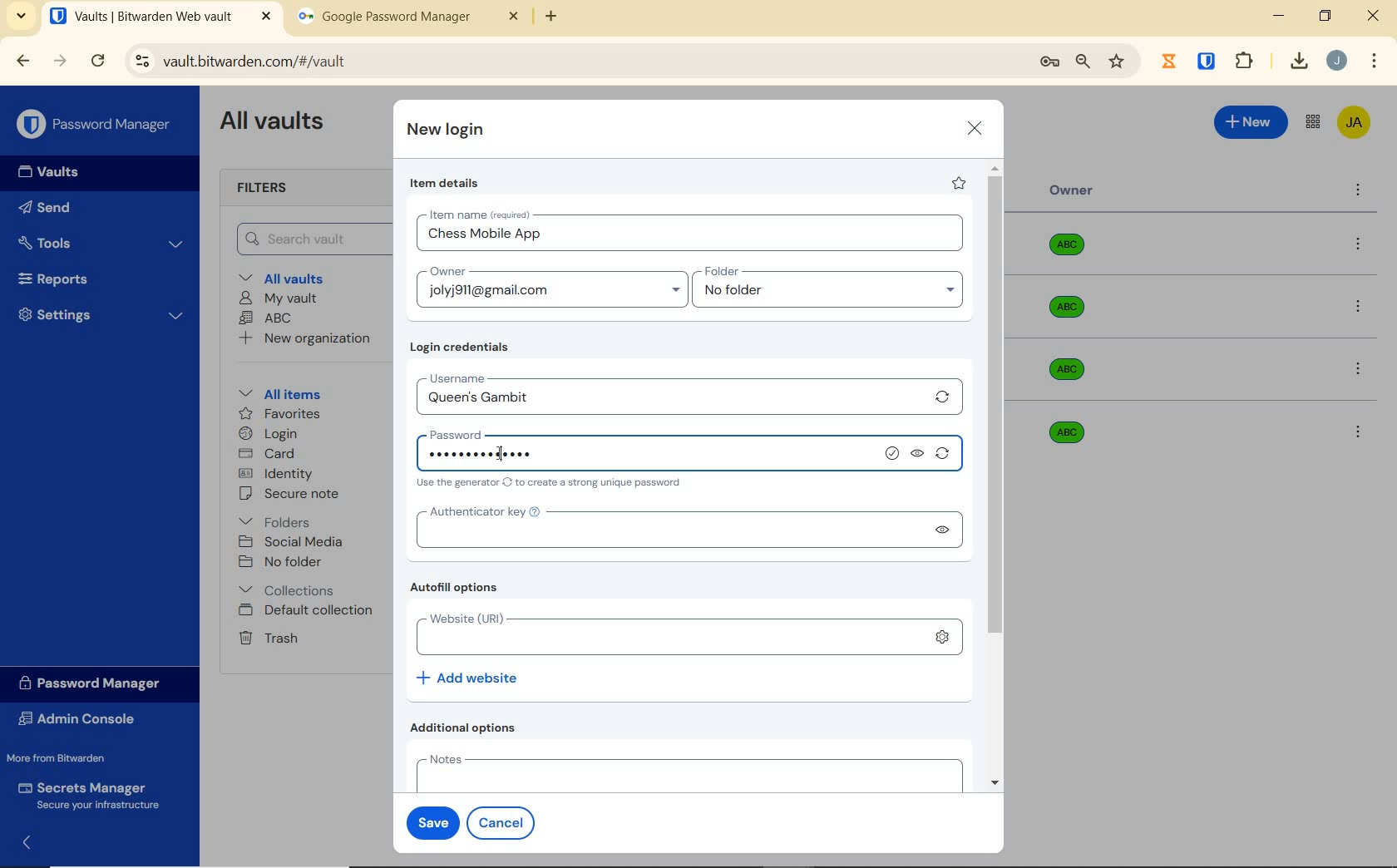  Describe the element at coordinates (504, 822) in the screenshot. I see `cancel` at that location.